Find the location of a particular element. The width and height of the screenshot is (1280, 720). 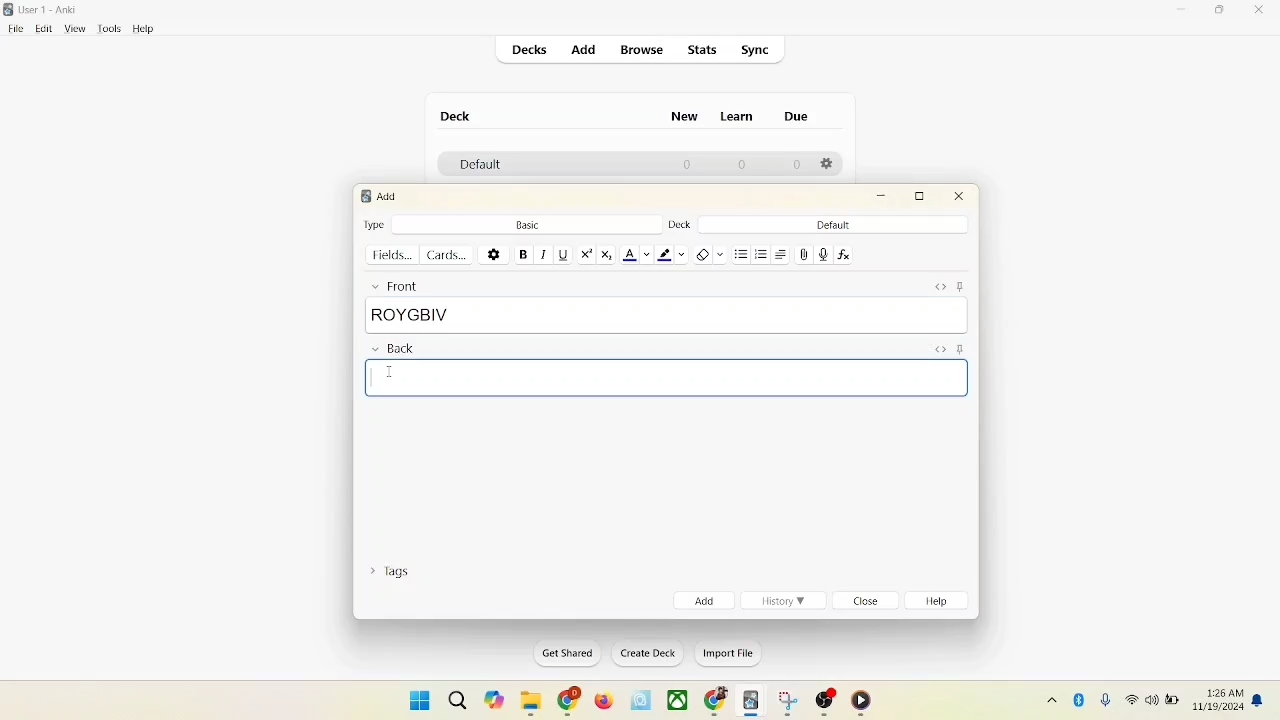

text highlight color is located at coordinates (670, 254).